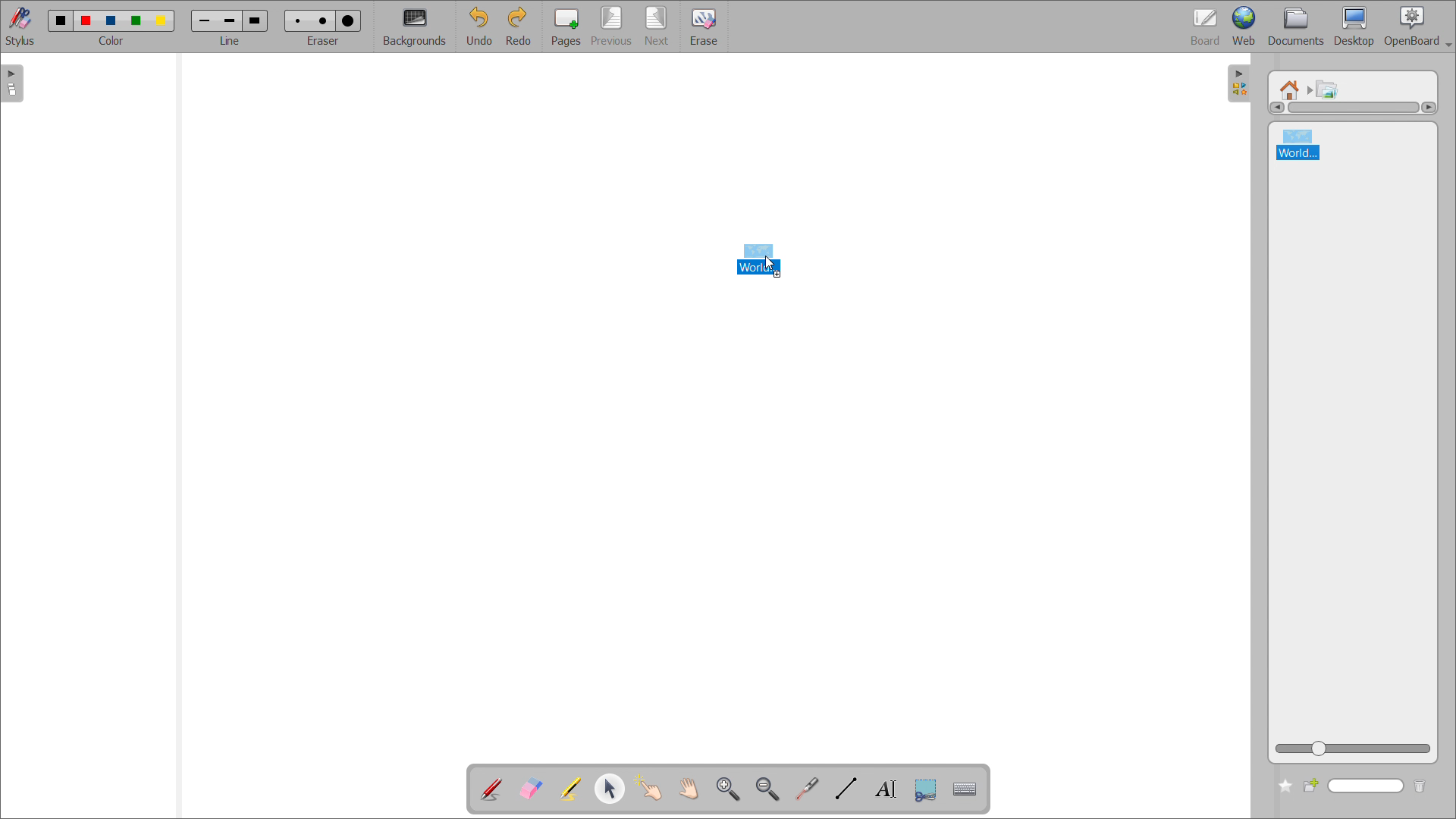 Image resolution: width=1456 pixels, height=819 pixels. I want to click on erase, so click(704, 27).